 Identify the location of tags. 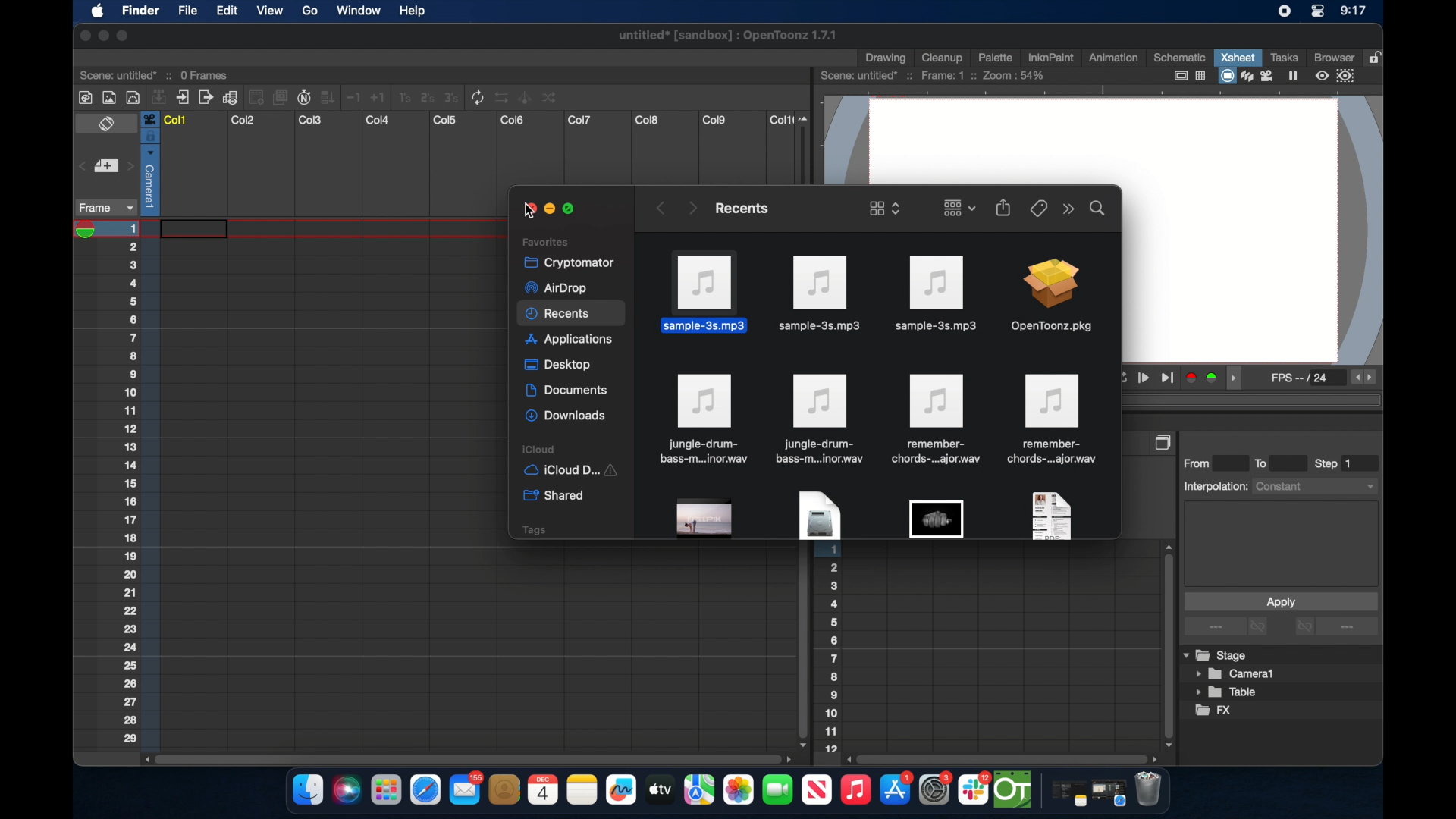
(533, 529).